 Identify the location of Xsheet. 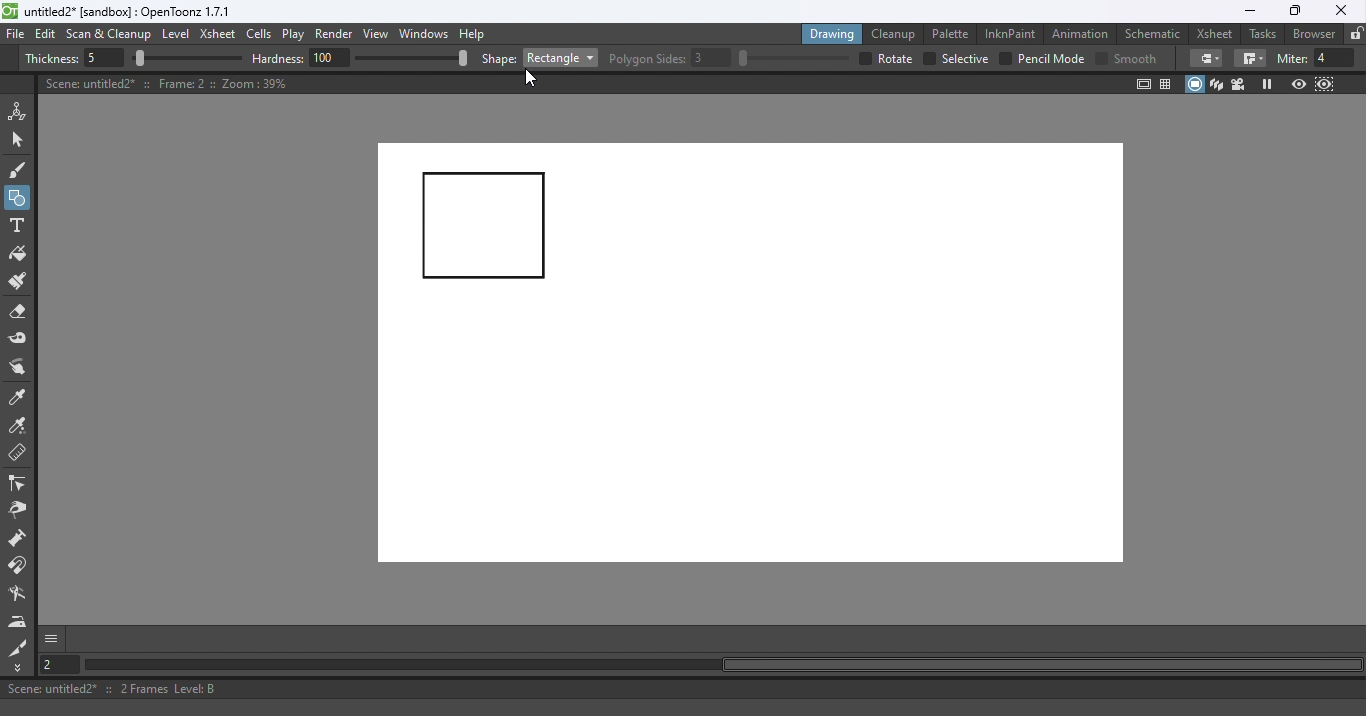
(1217, 33).